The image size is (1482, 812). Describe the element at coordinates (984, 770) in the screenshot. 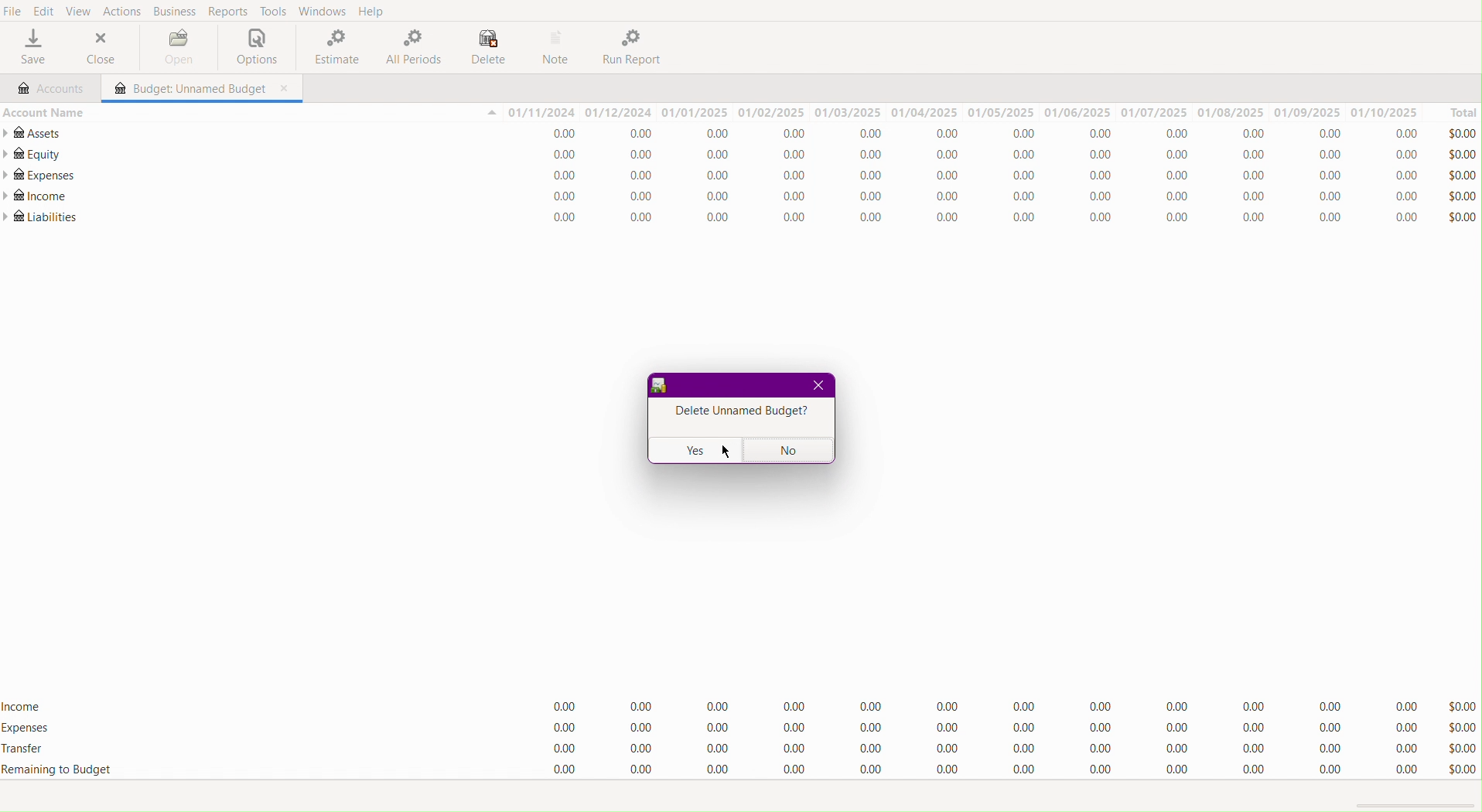

I see `Remaining to Budget` at that location.